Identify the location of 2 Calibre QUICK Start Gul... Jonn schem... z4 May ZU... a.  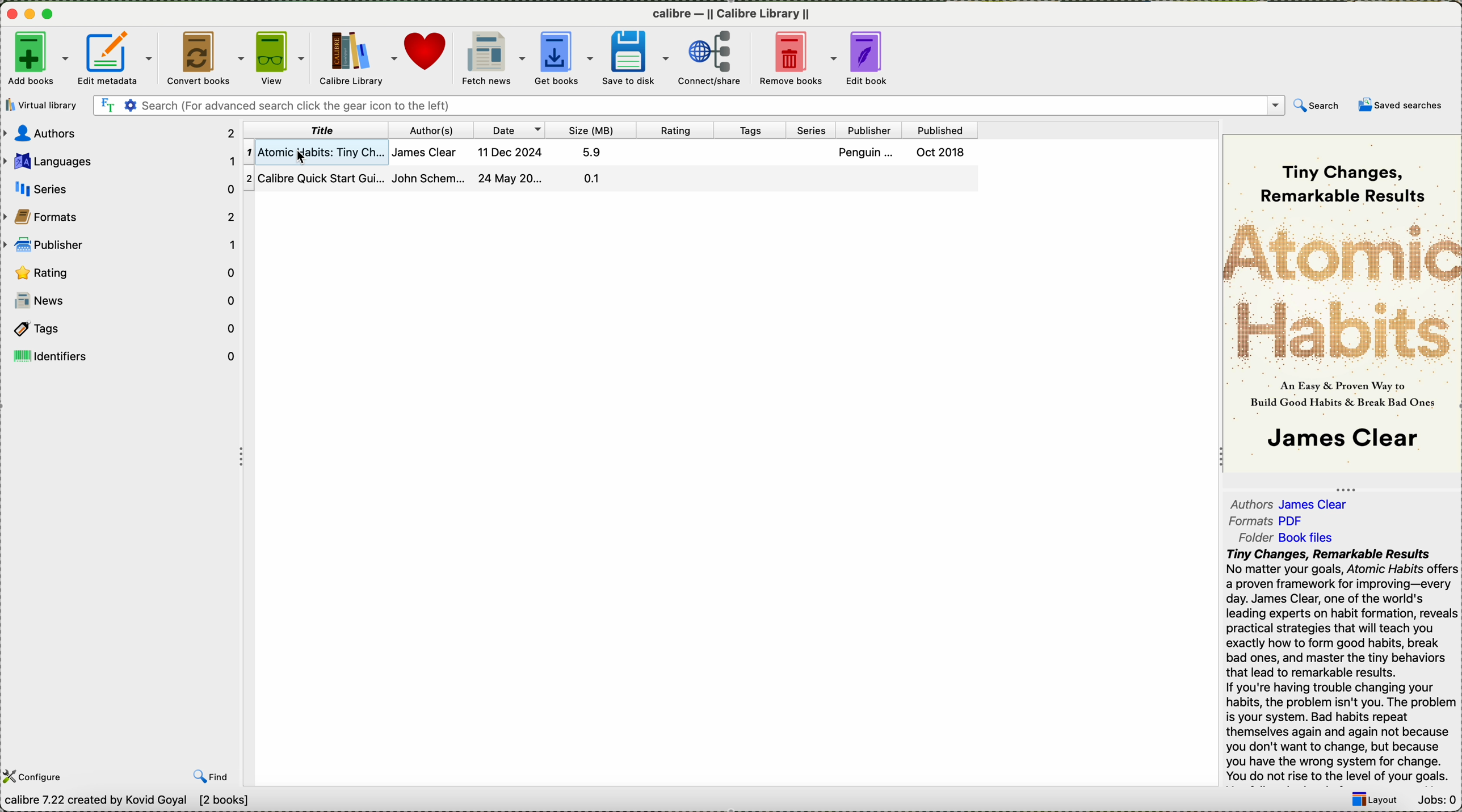
(616, 182).